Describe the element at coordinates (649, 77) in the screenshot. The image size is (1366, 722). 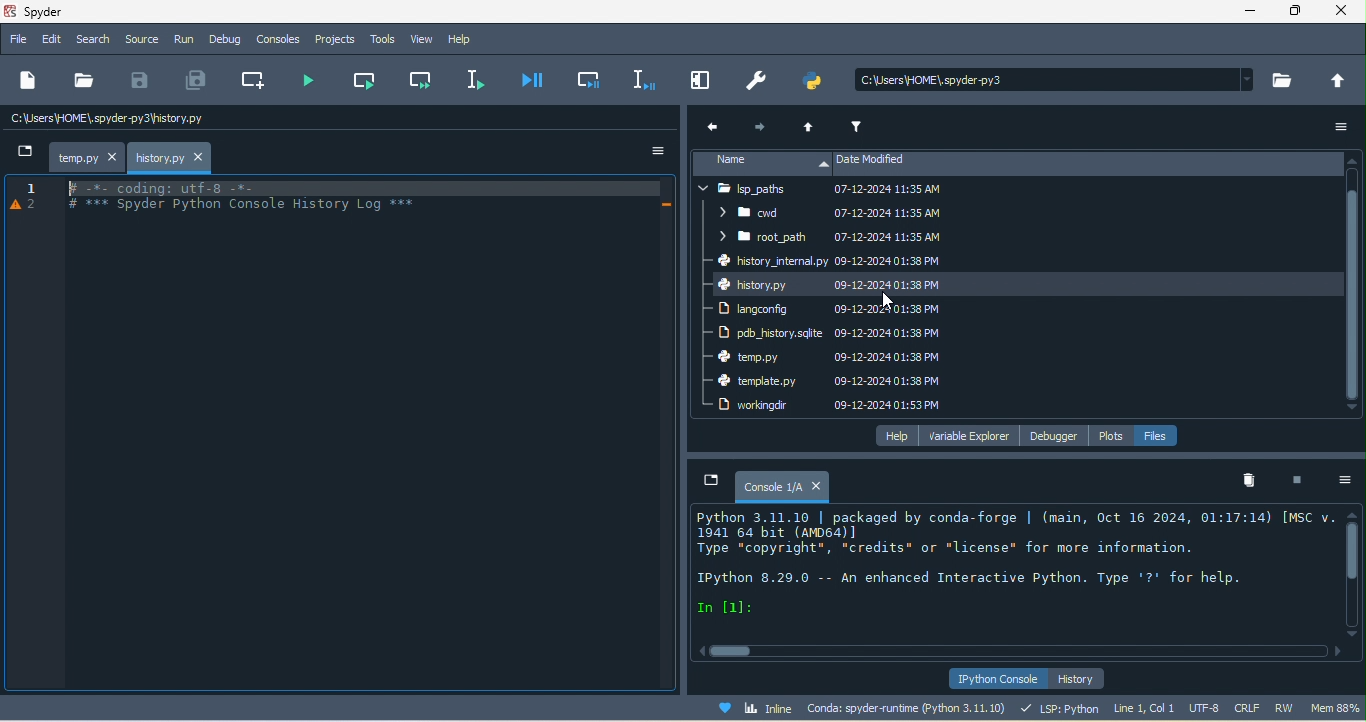
I see `debug selection` at that location.